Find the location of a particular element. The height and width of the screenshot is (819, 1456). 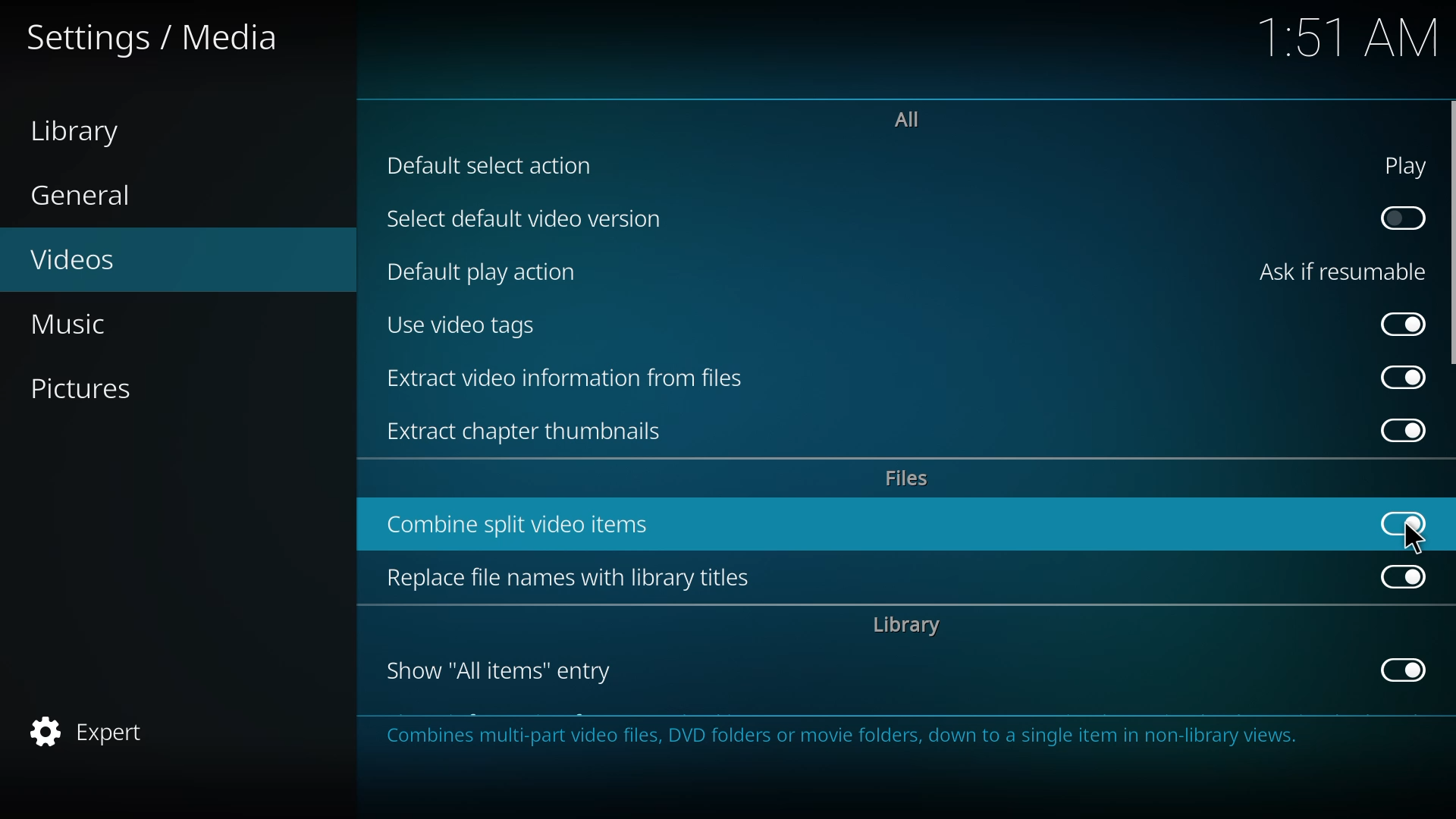

ask is located at coordinates (1336, 272).